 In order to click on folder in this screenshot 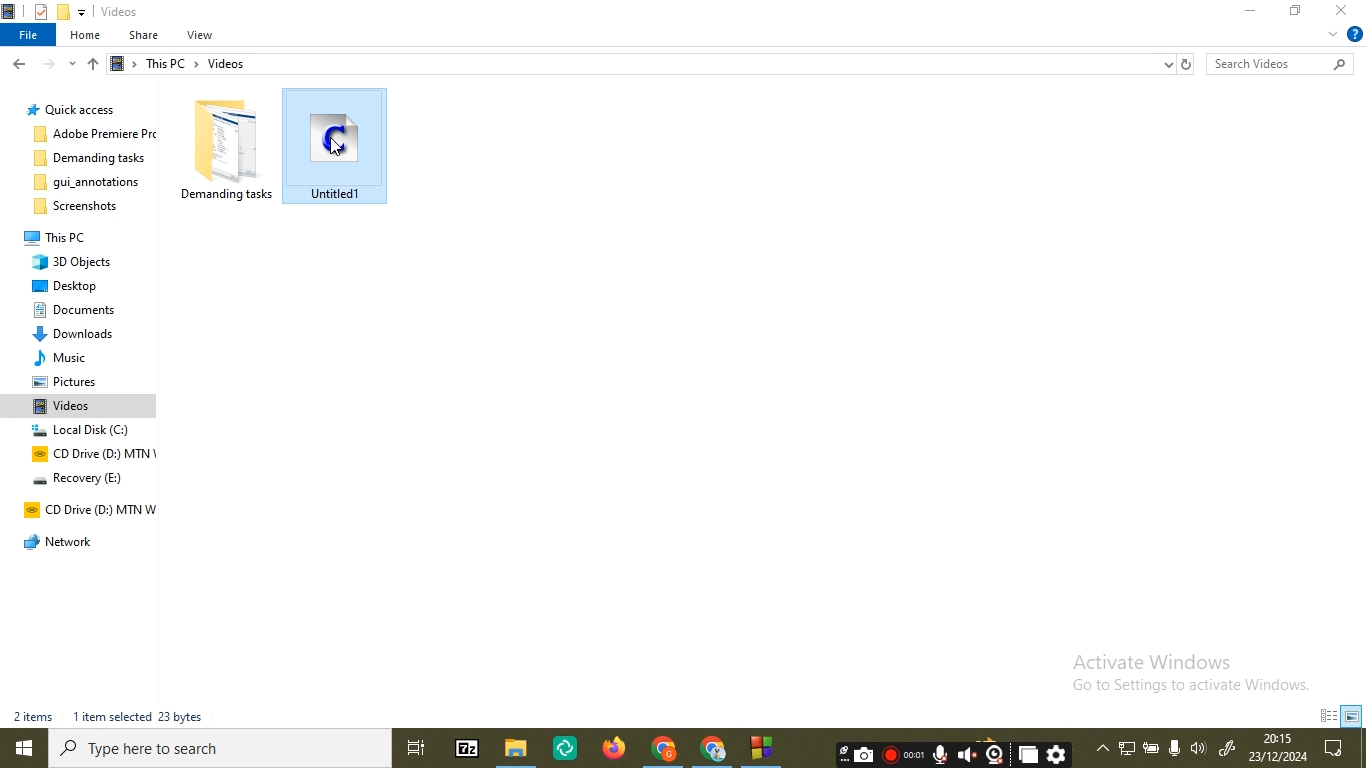, I will do `click(80, 456)`.